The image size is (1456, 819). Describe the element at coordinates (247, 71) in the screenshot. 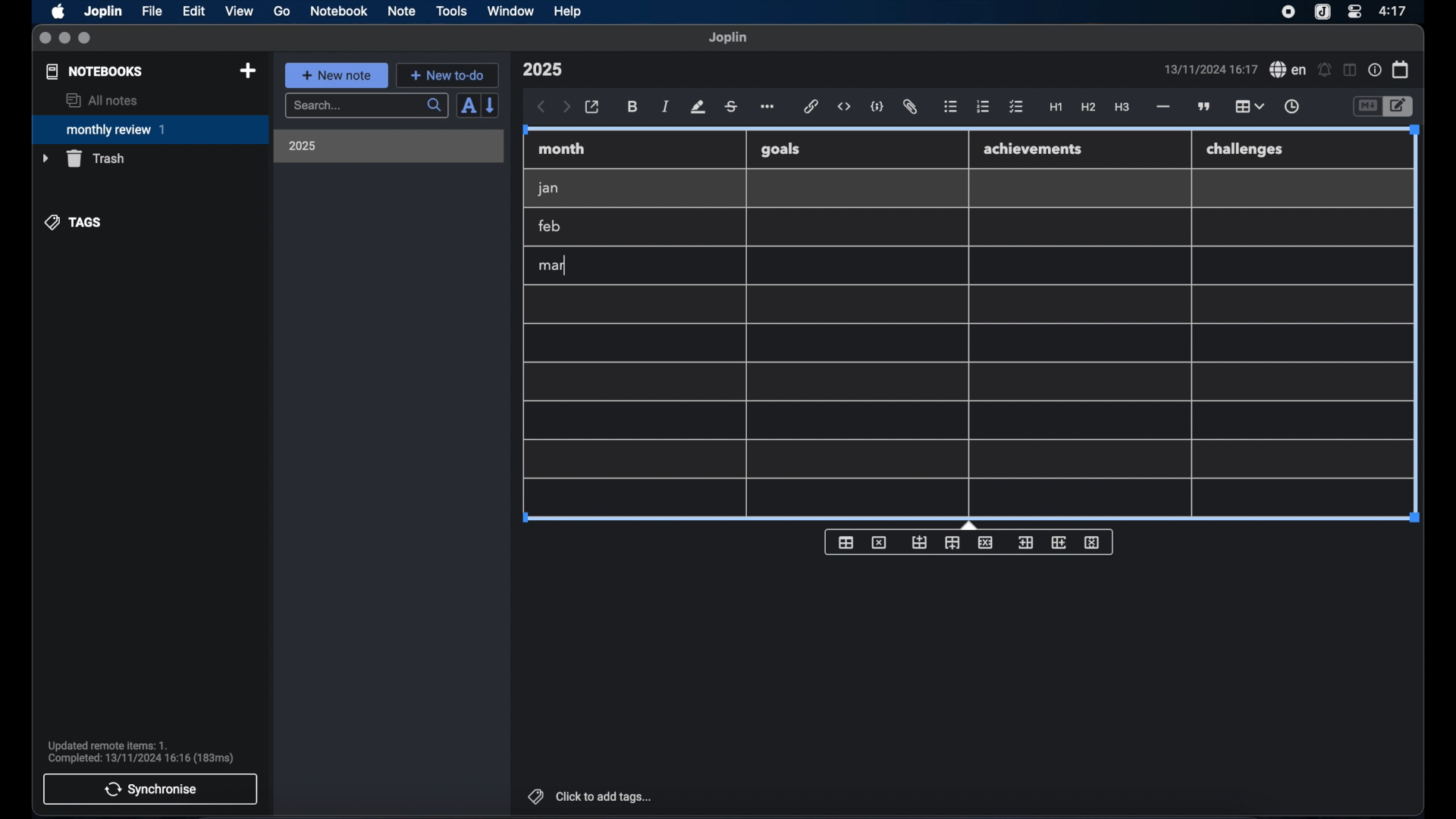

I see `new notebook` at that location.